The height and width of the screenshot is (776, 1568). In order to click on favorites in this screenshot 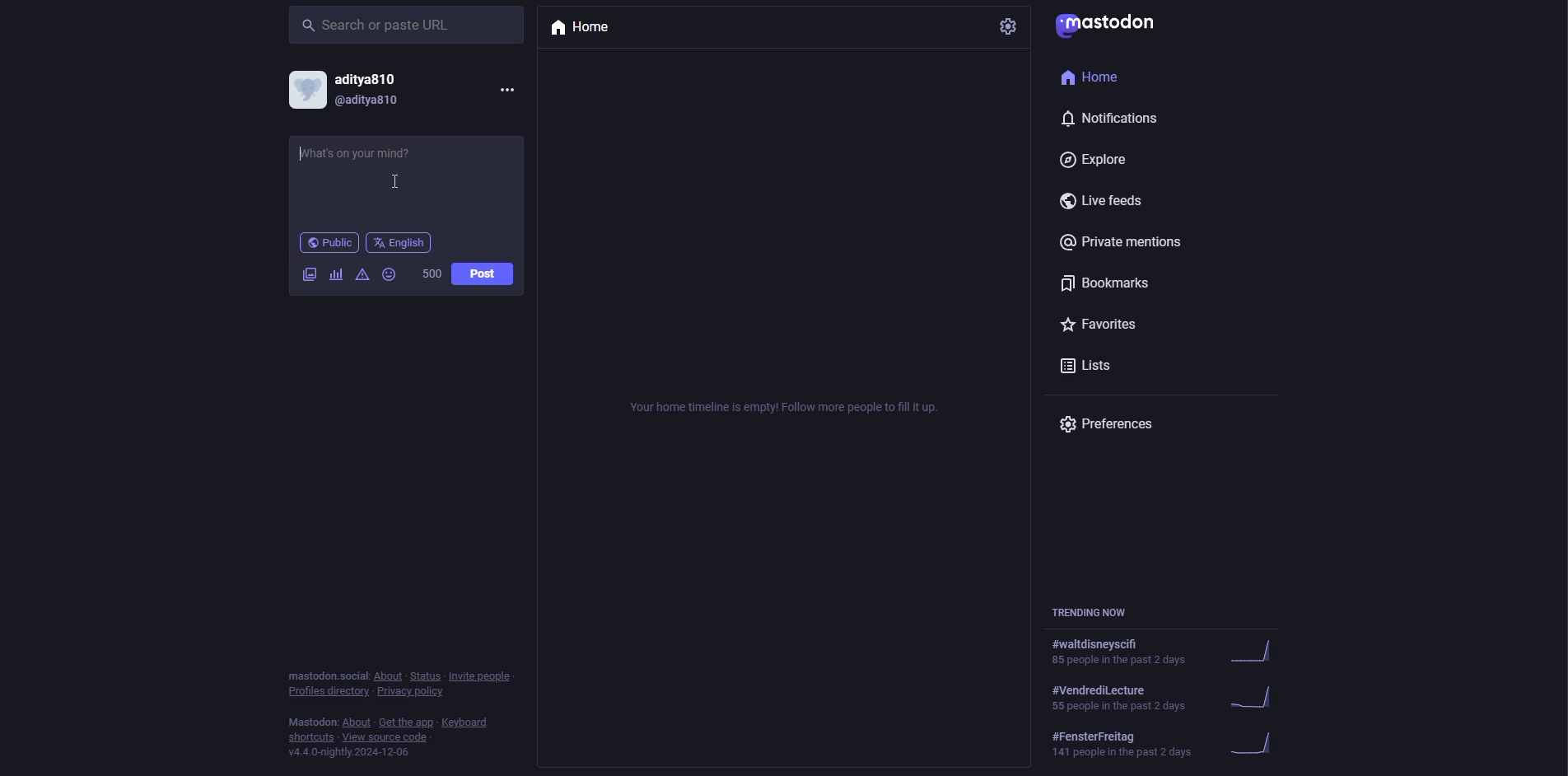, I will do `click(1107, 326)`.